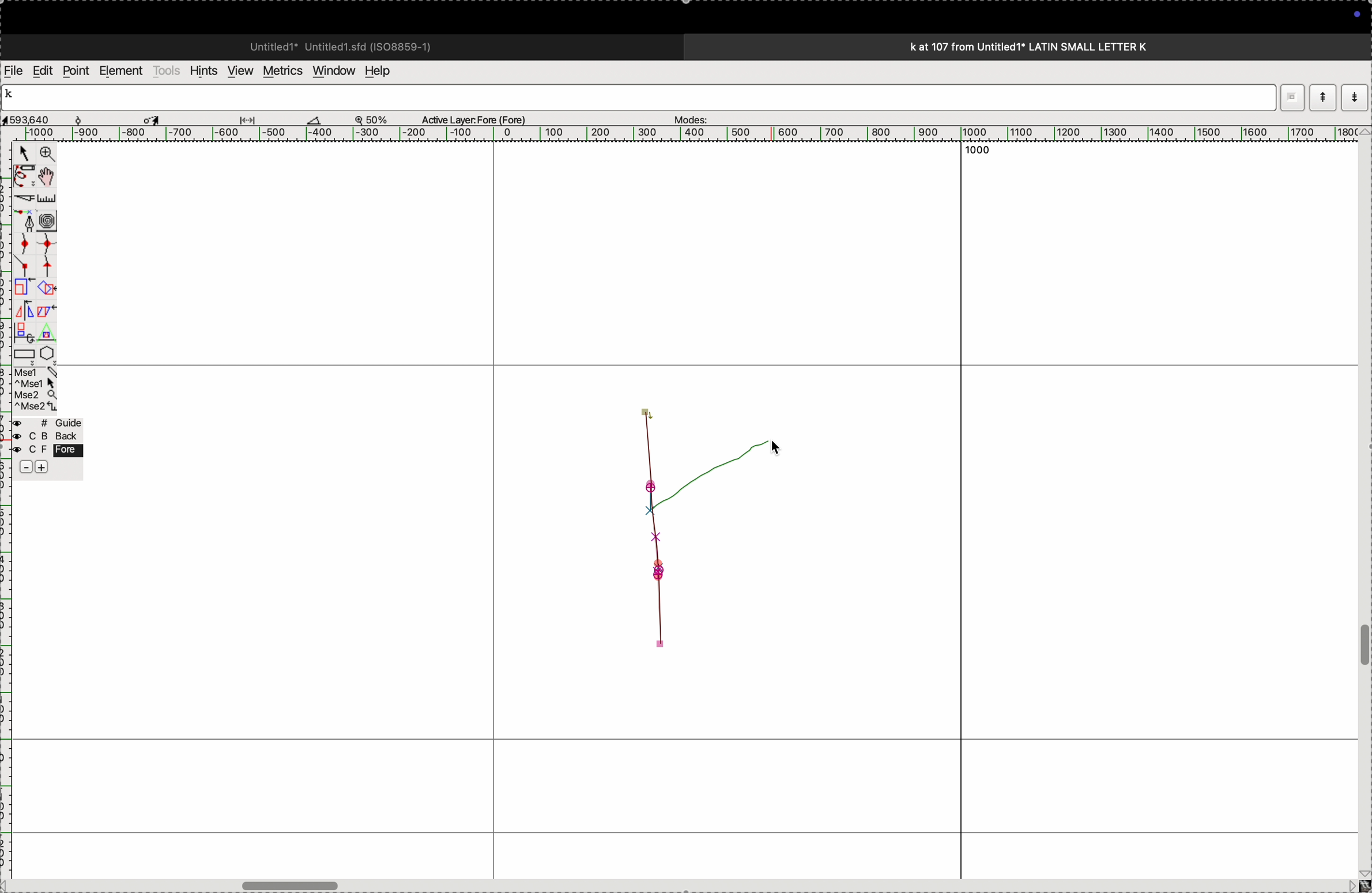 The width and height of the screenshot is (1372, 893). What do you see at coordinates (331, 70) in the screenshot?
I see `window` at bounding box center [331, 70].